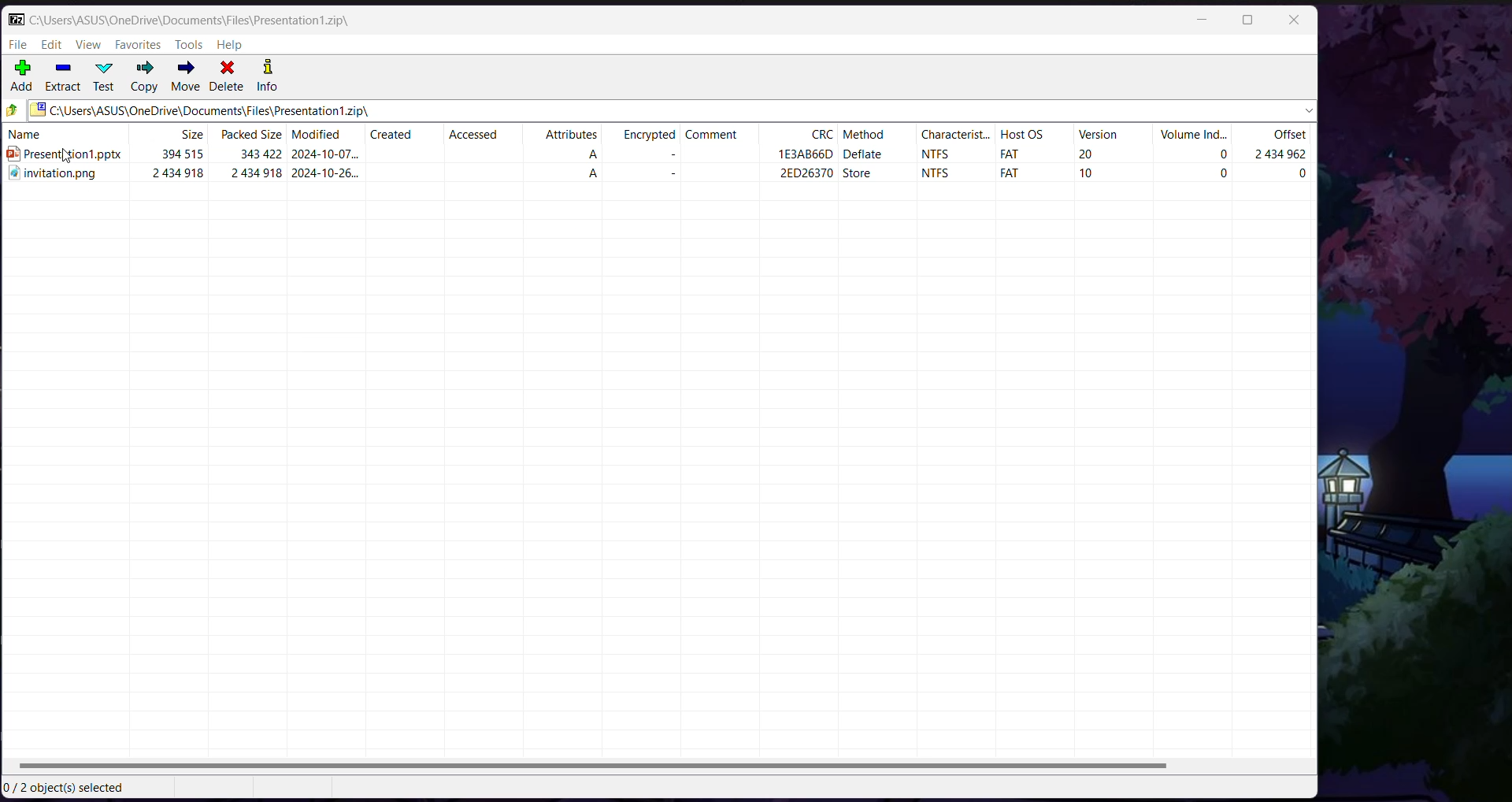  Describe the element at coordinates (190, 45) in the screenshot. I see `Tools` at that location.